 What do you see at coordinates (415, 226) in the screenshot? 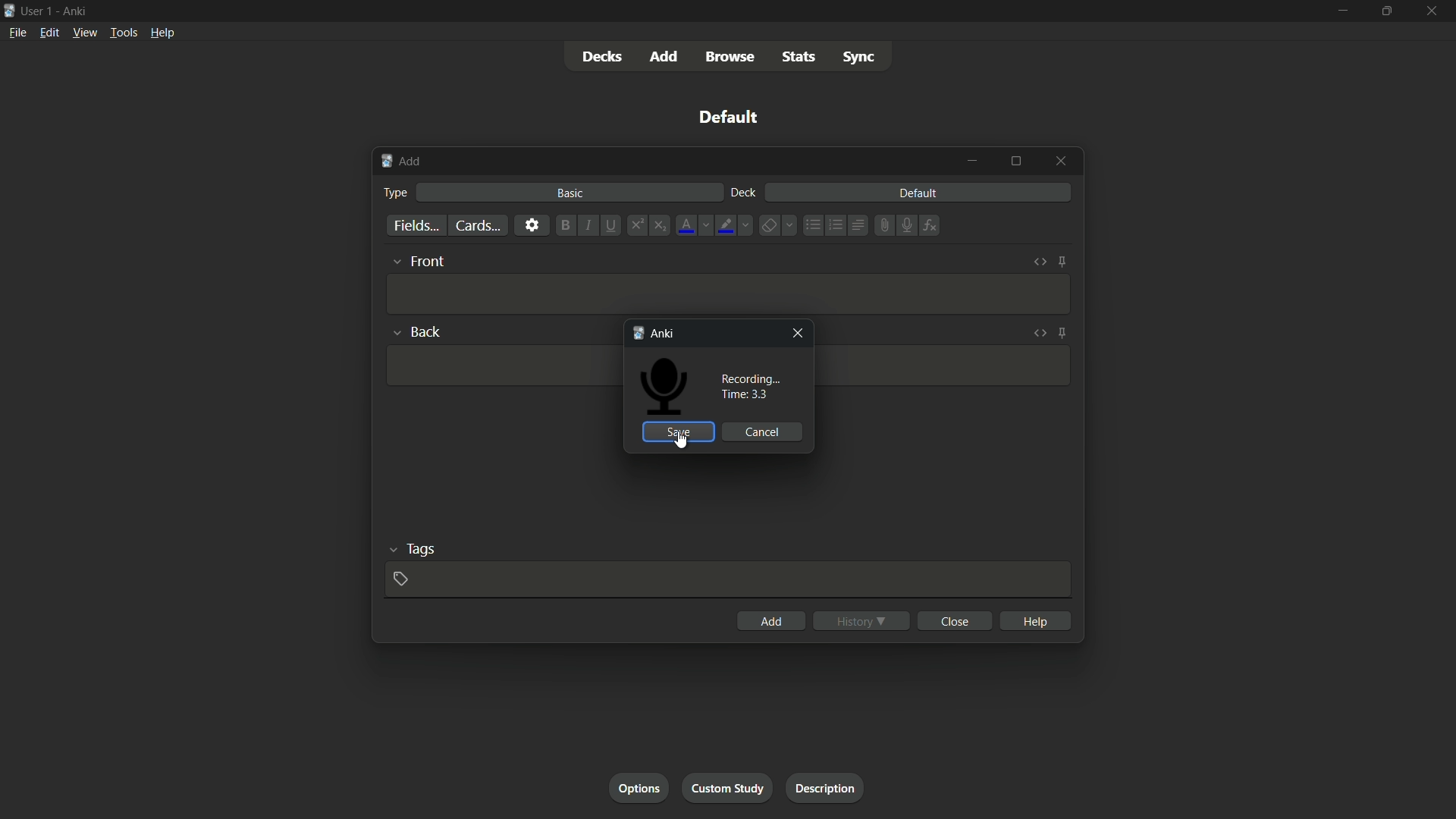
I see `fields` at bounding box center [415, 226].